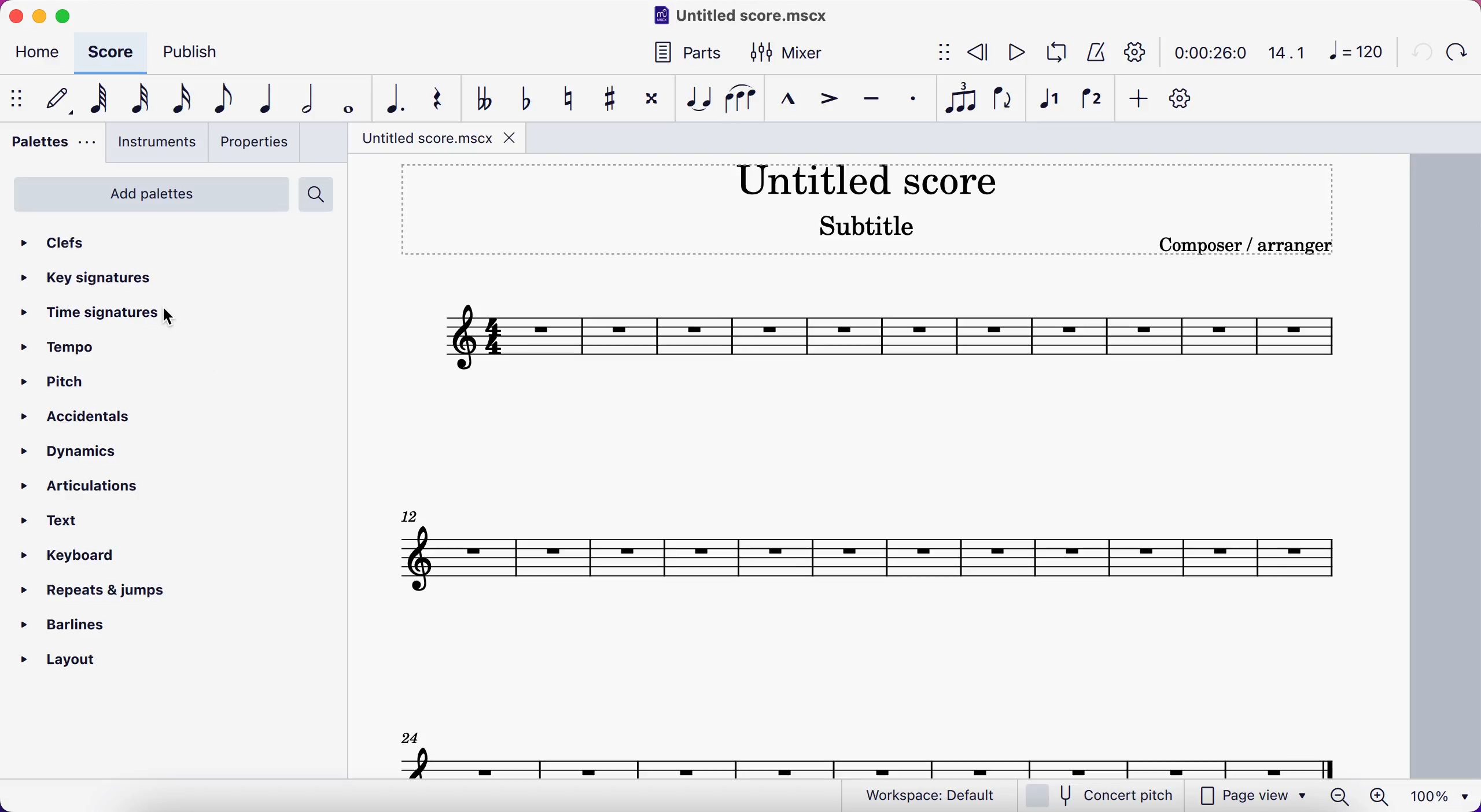 This screenshot has width=1481, height=812. I want to click on minimize, so click(40, 19).